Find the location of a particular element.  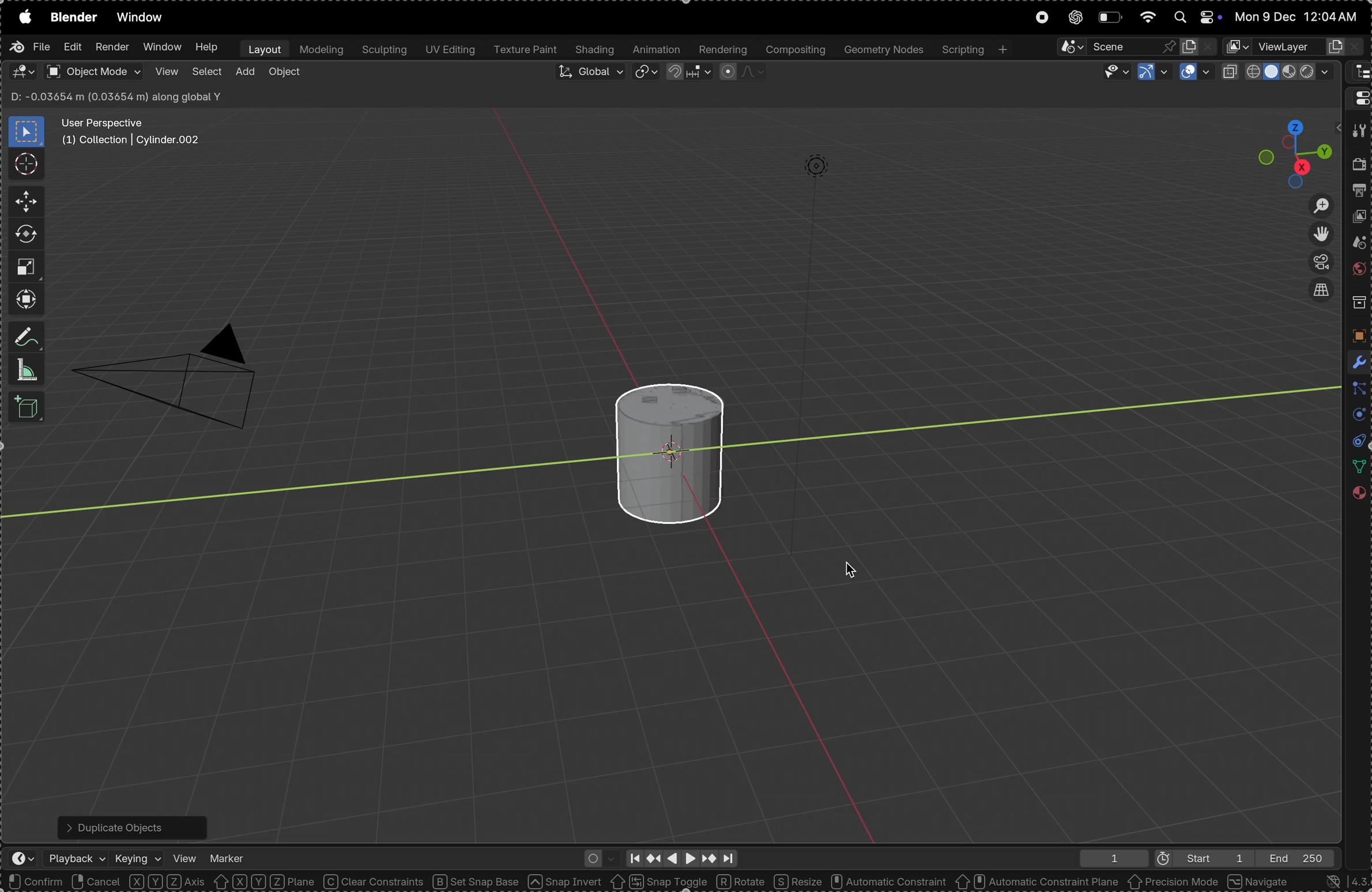

data is located at coordinates (1356, 467).